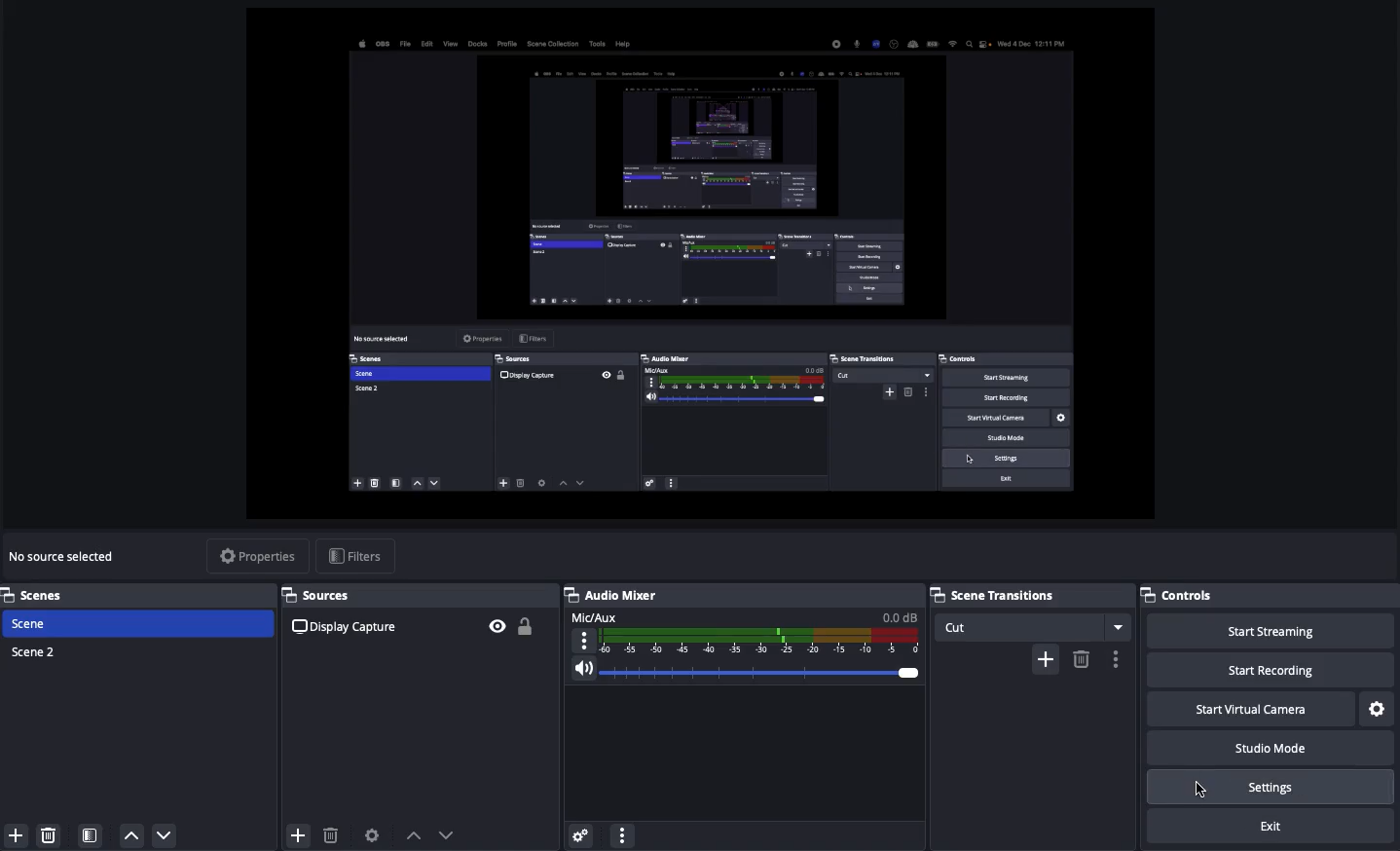 This screenshot has height=851, width=1400. What do you see at coordinates (751, 632) in the screenshot?
I see `Mic aux` at bounding box center [751, 632].